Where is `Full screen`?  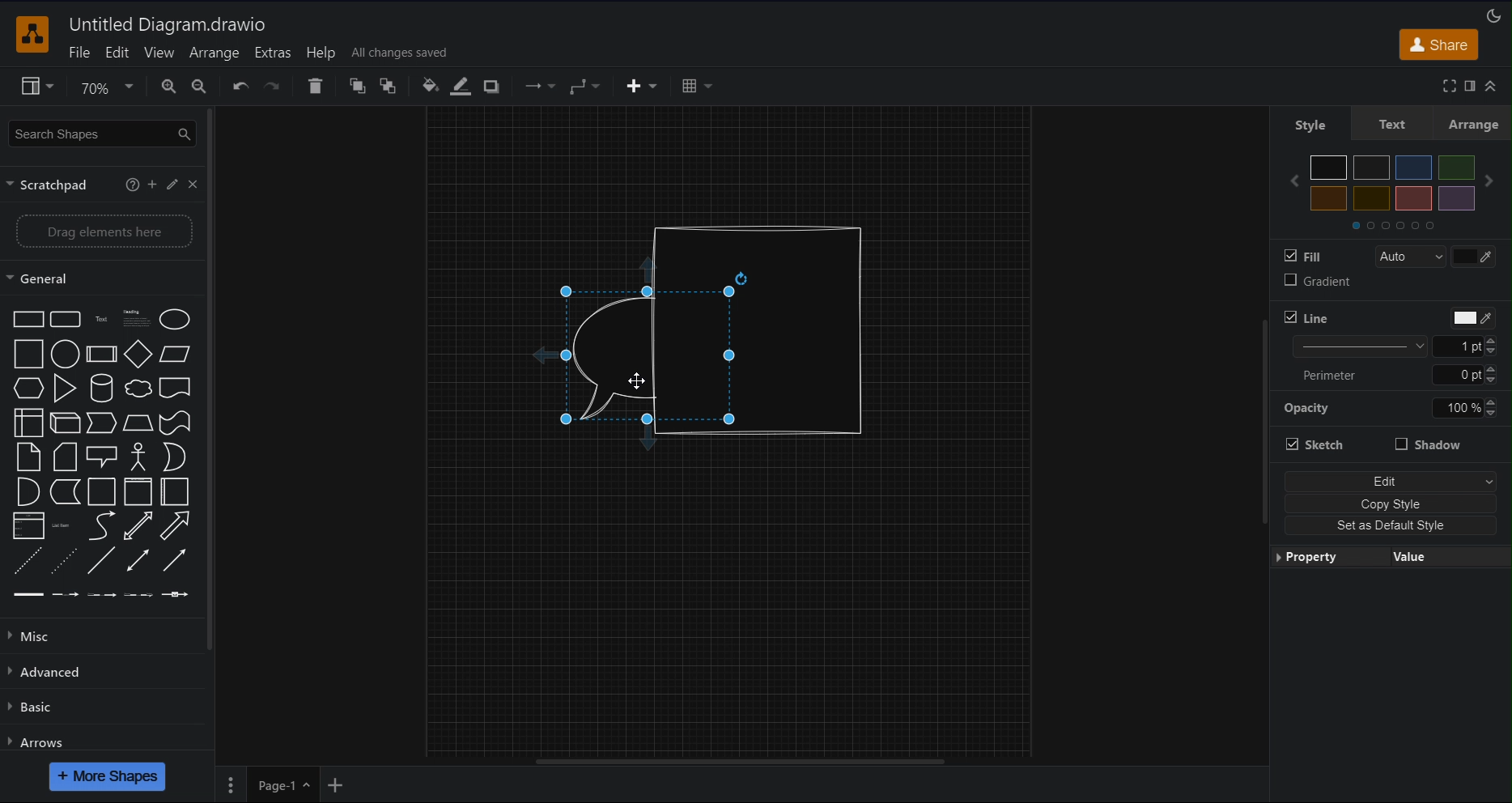 Full screen is located at coordinates (1450, 86).